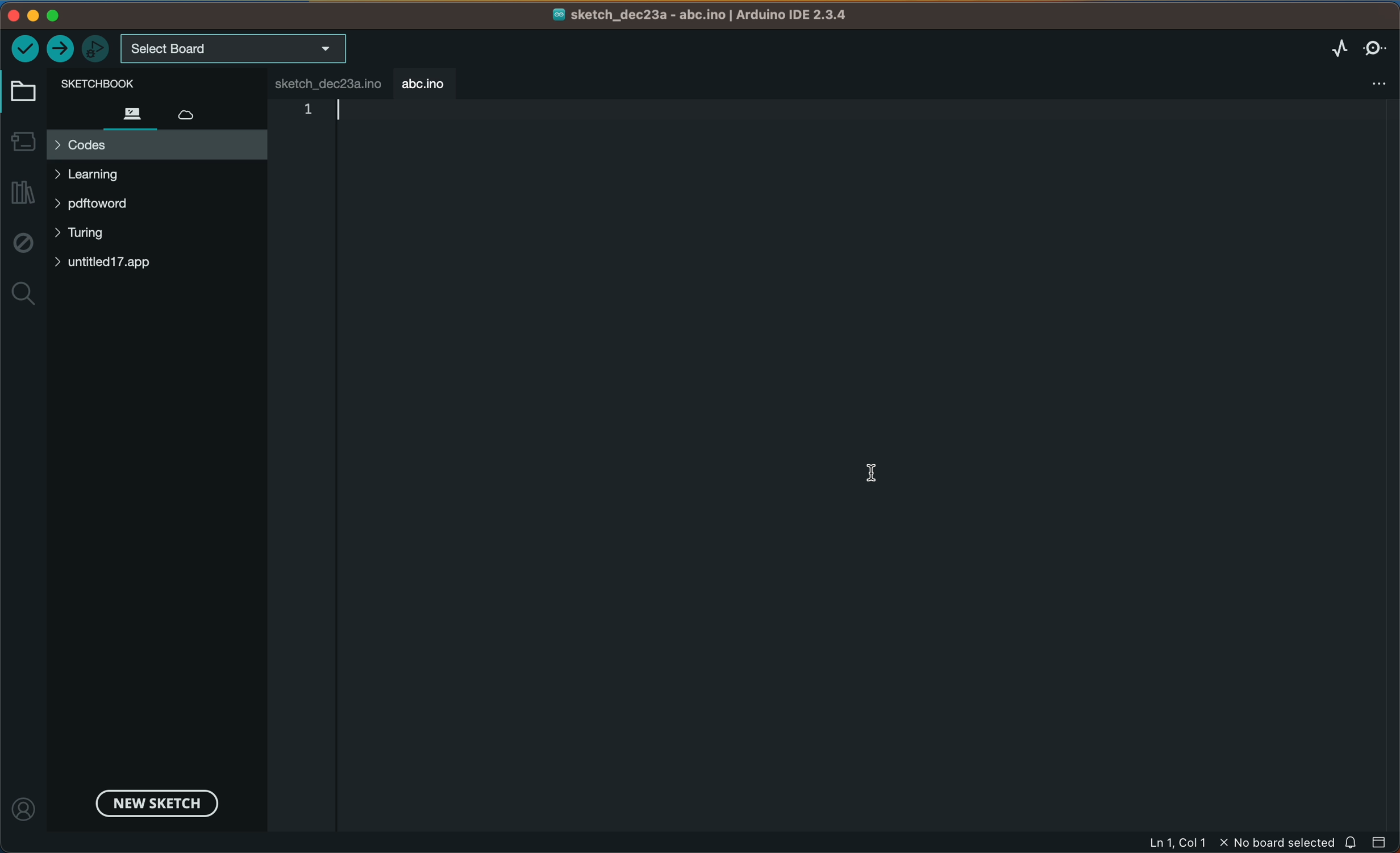  Describe the element at coordinates (463, 174) in the screenshot. I see `new file code section` at that location.